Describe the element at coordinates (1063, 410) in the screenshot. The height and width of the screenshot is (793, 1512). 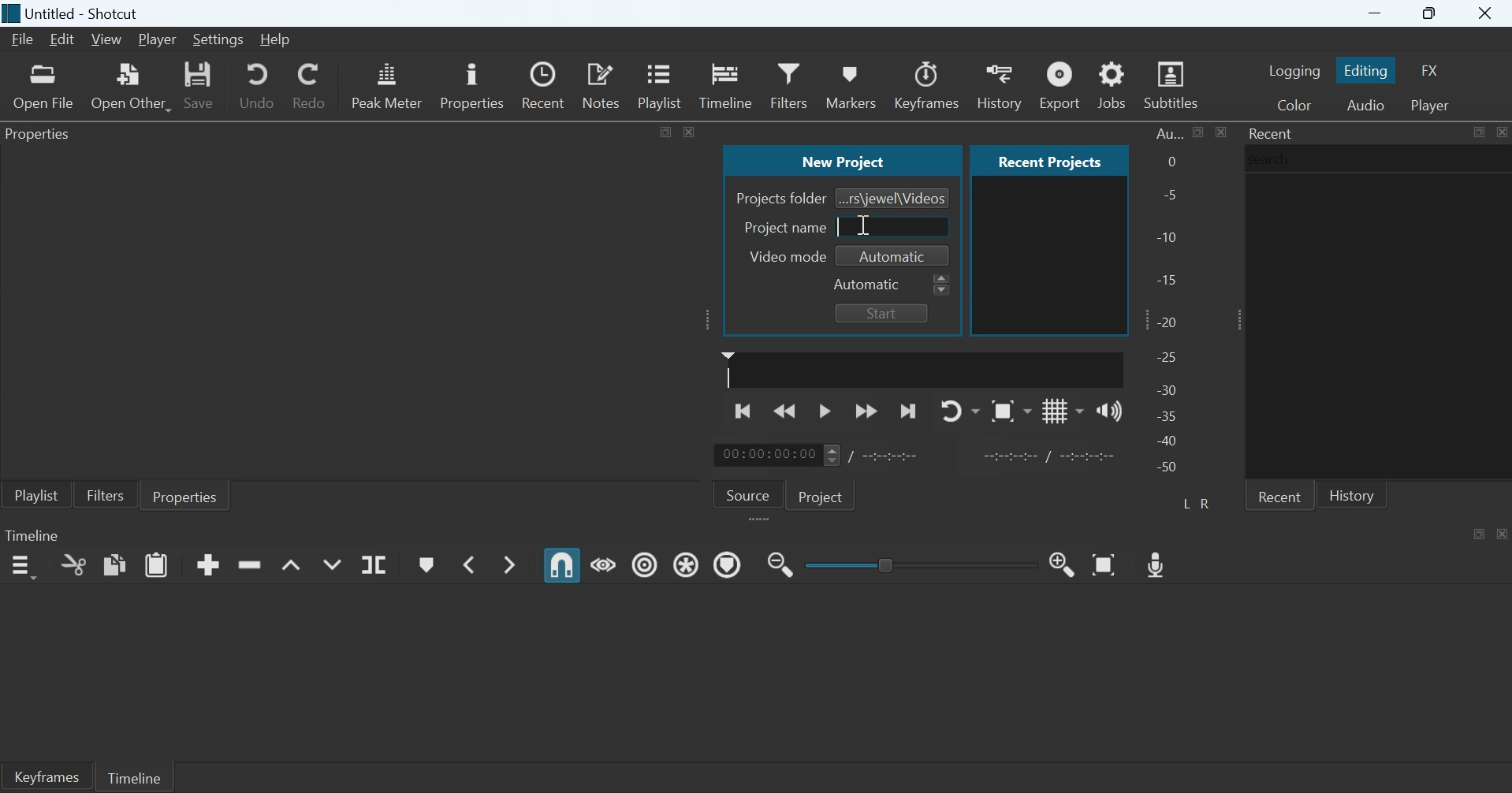
I see `Toggle grid display on the player` at that location.